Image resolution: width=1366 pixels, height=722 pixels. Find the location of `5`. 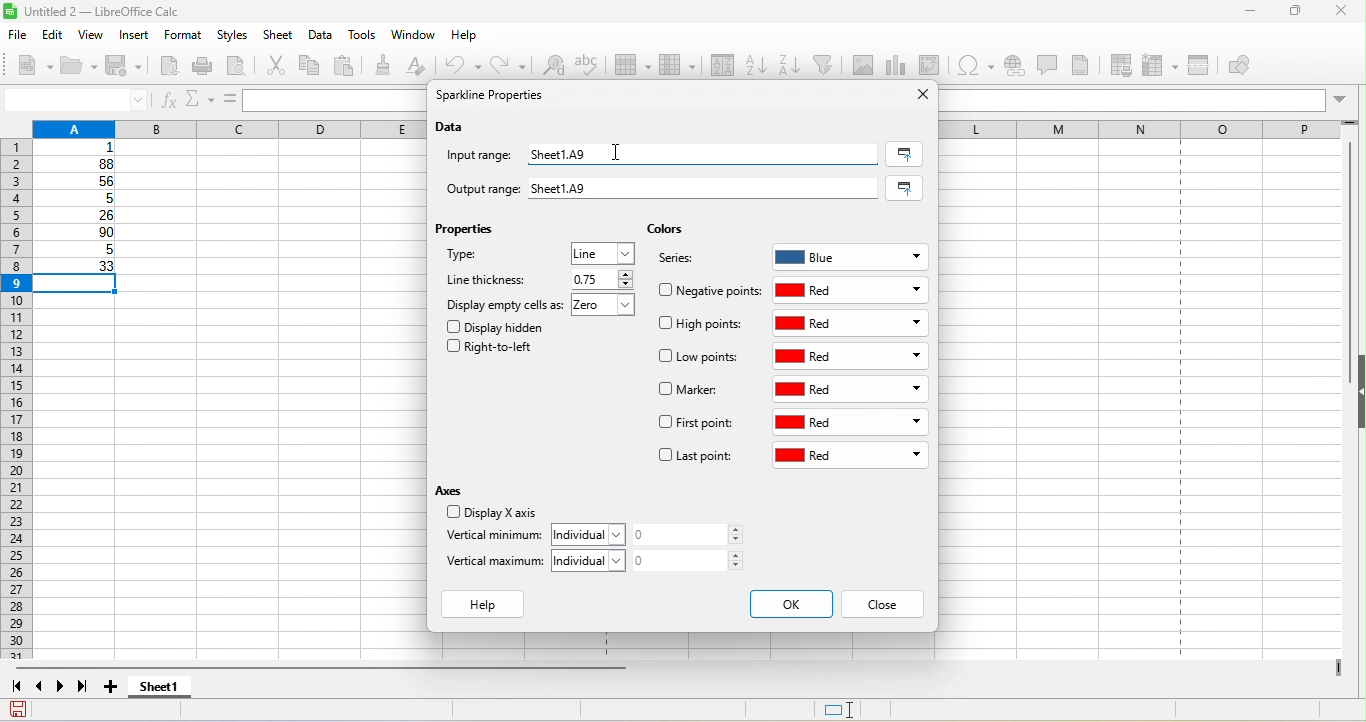

5 is located at coordinates (76, 252).